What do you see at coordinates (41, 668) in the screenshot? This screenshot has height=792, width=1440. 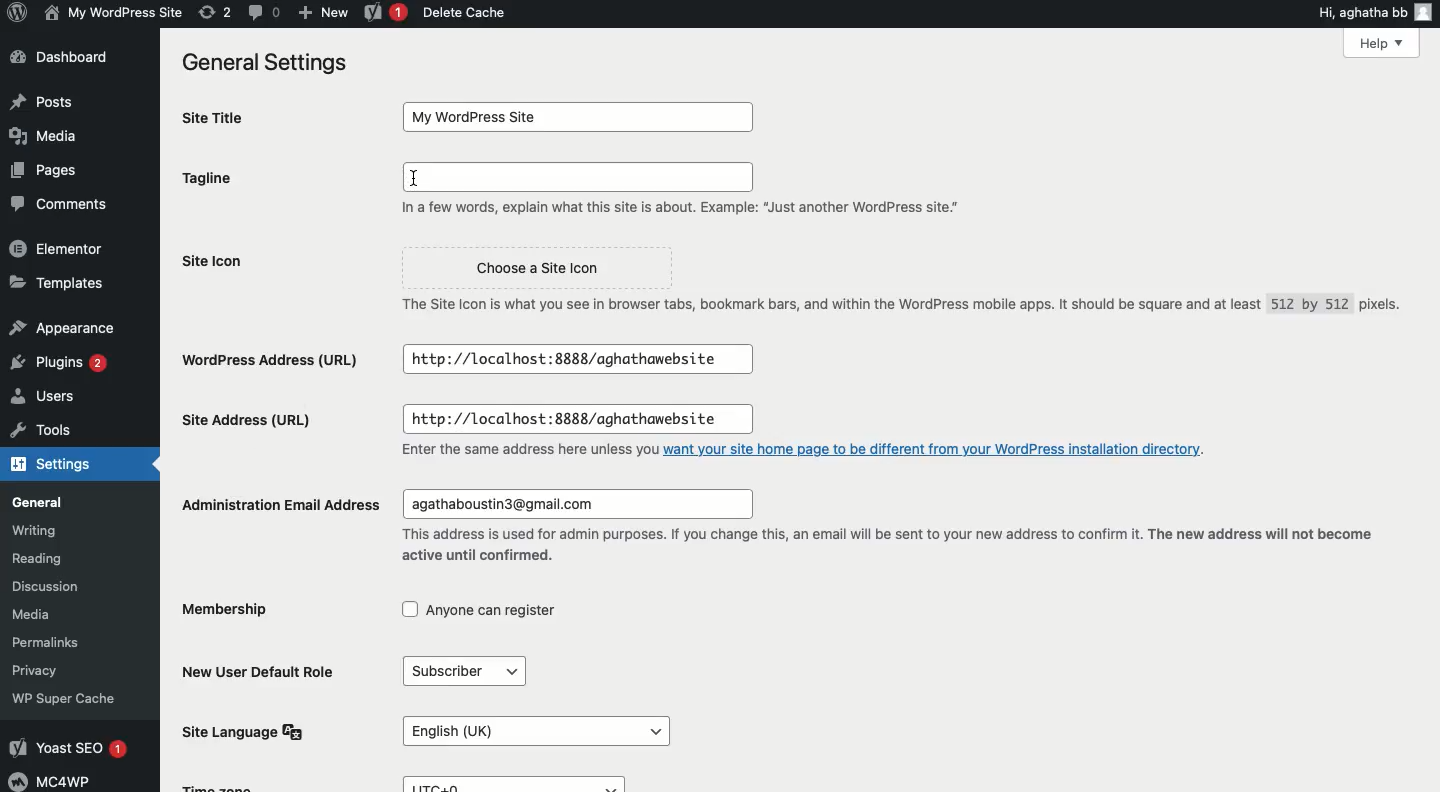 I see `Privacy` at bounding box center [41, 668].